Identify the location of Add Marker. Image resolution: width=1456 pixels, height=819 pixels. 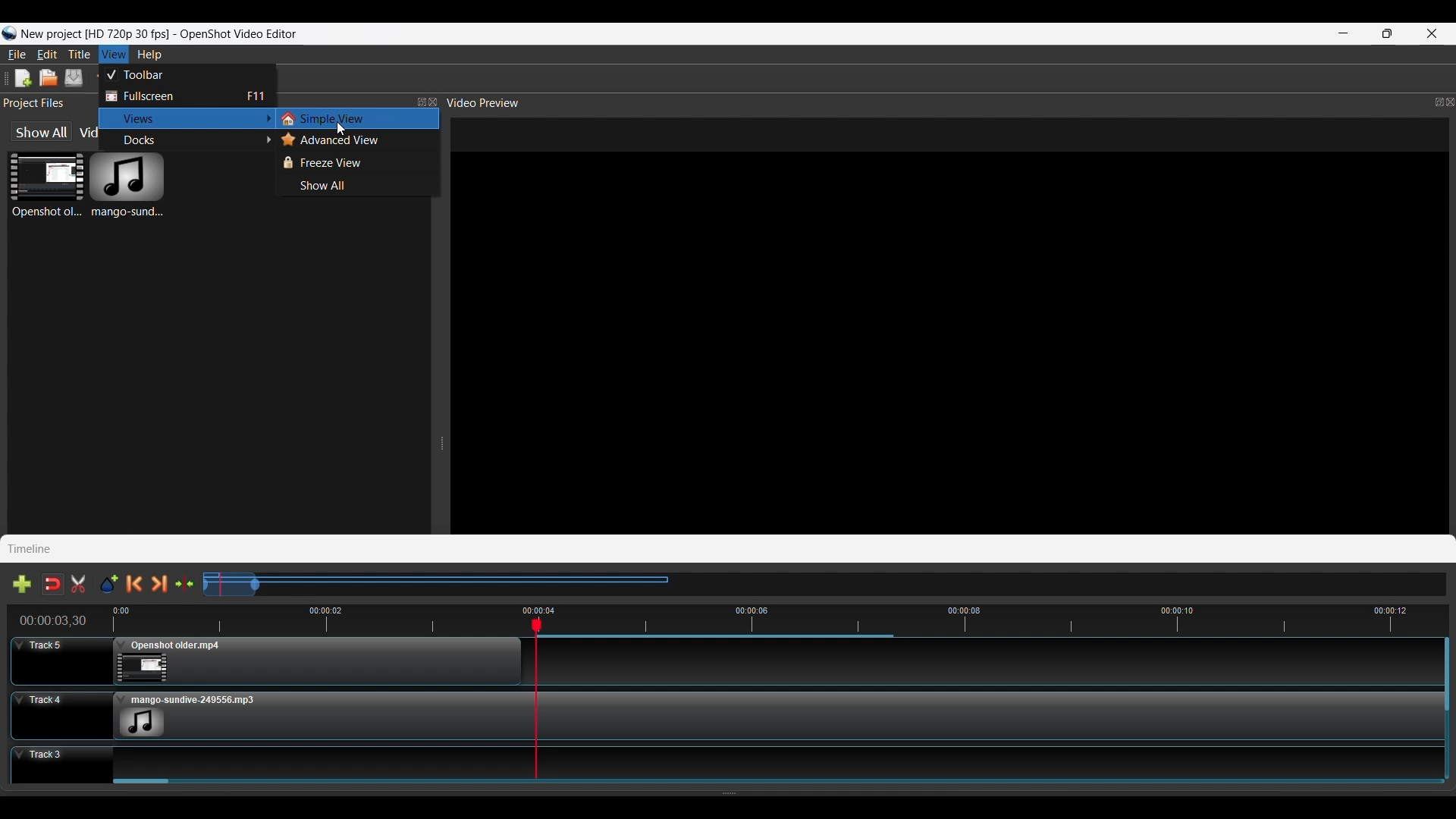
(109, 584).